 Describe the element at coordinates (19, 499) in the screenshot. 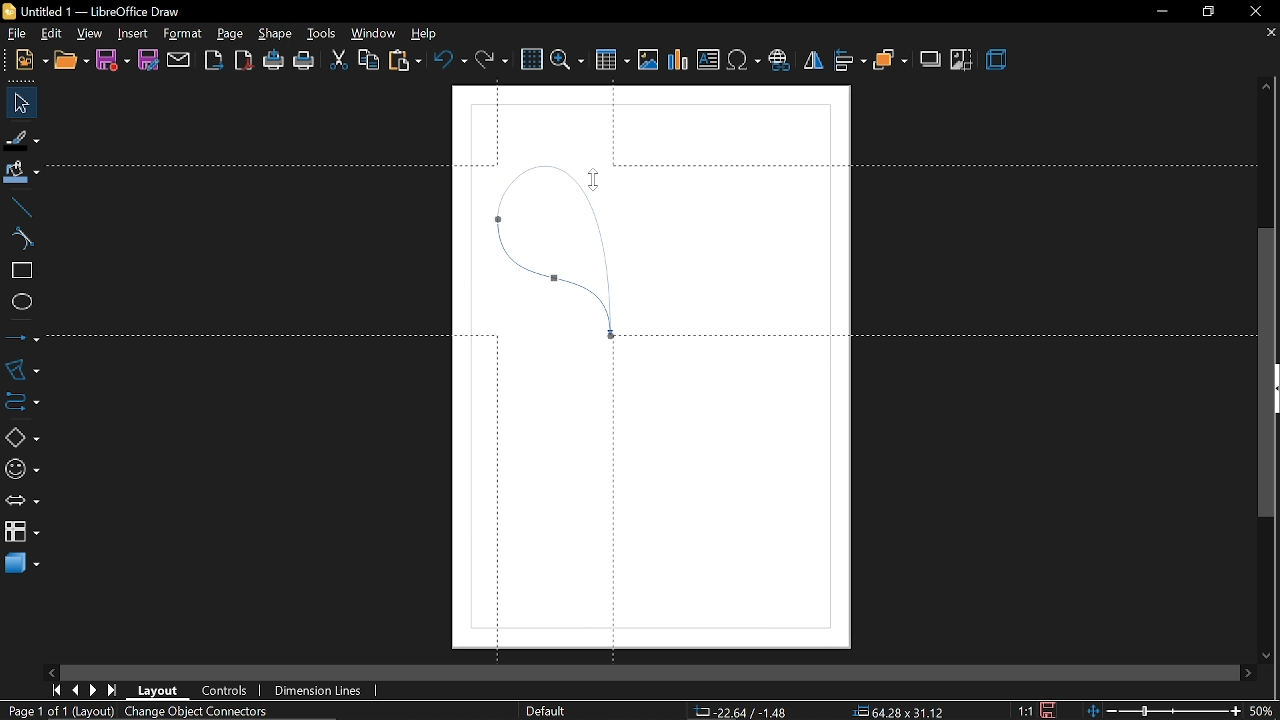

I see `arrows` at that location.